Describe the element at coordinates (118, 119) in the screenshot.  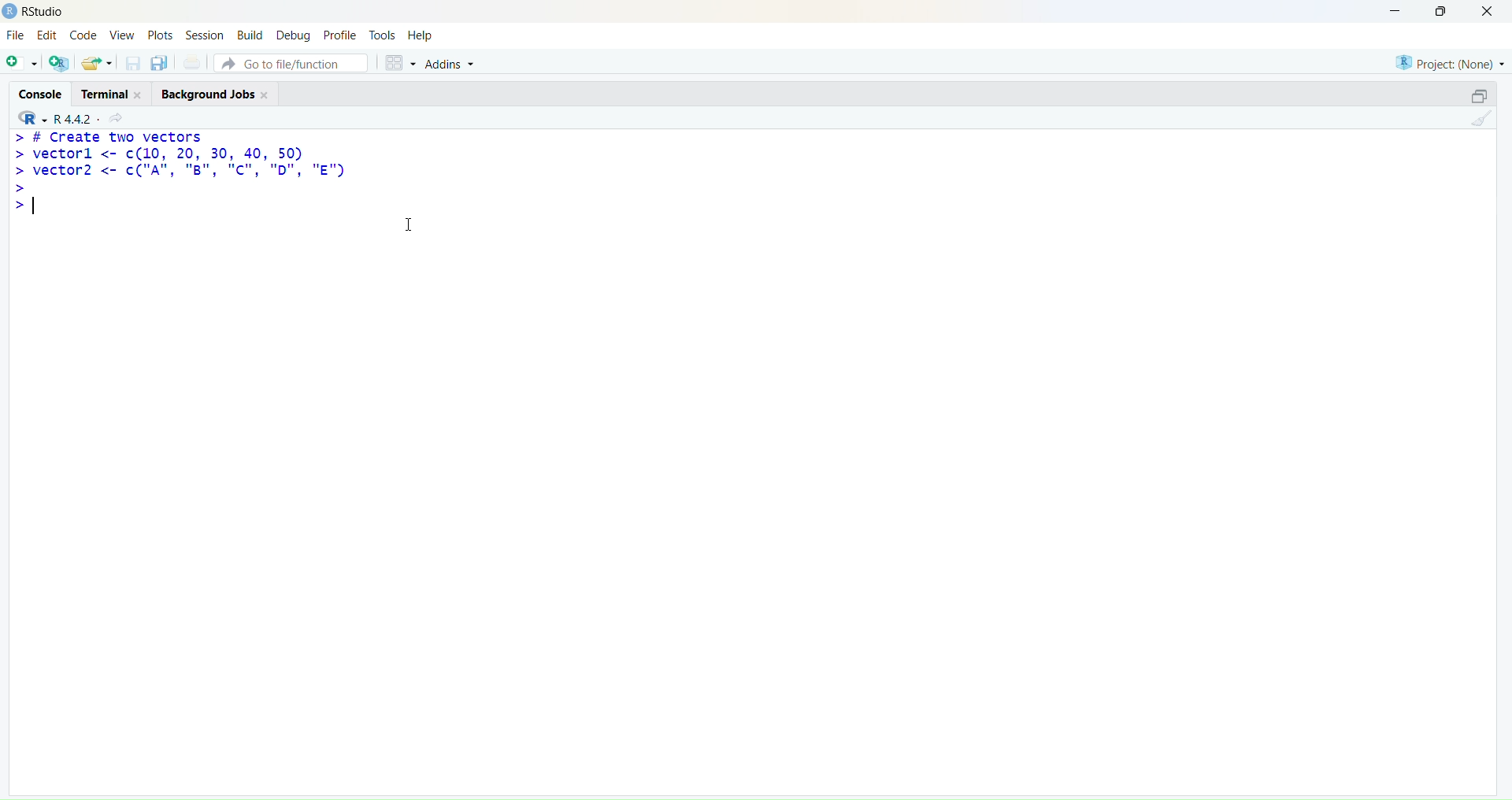
I see `View current directory` at that location.